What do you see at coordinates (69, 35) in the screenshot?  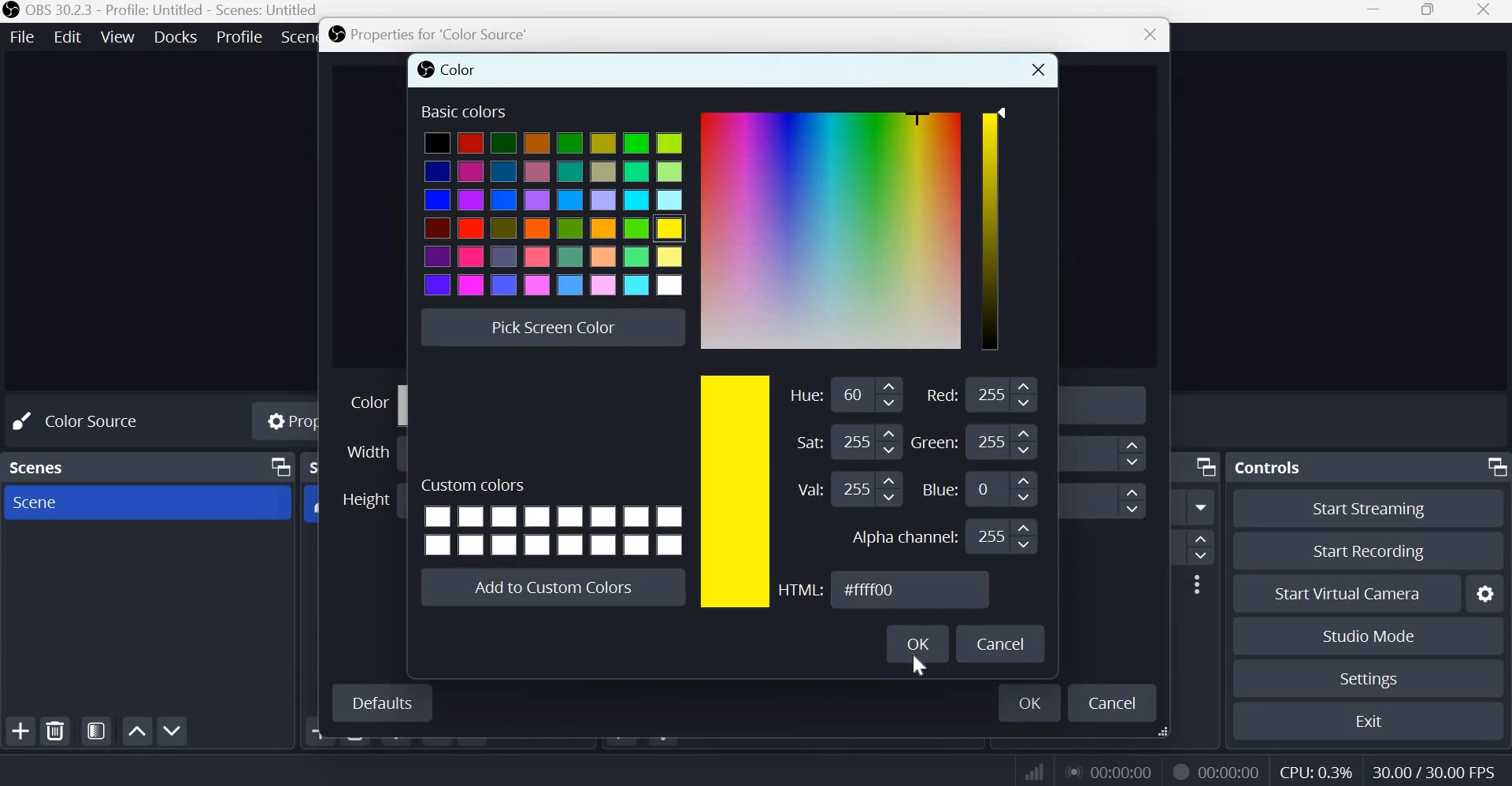 I see `Edit` at bounding box center [69, 35].